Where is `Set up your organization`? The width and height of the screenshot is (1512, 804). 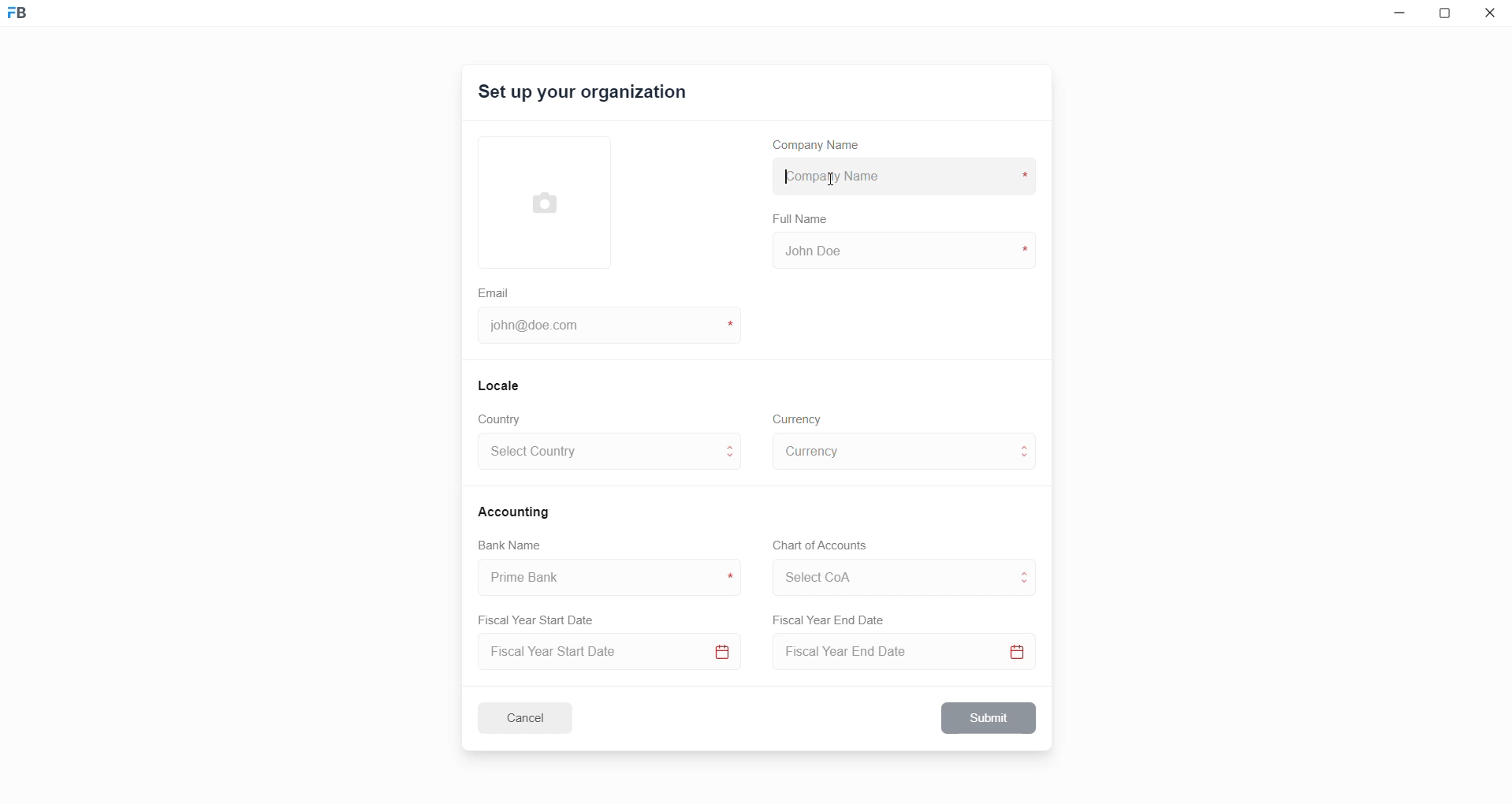
Set up your organization is located at coordinates (584, 95).